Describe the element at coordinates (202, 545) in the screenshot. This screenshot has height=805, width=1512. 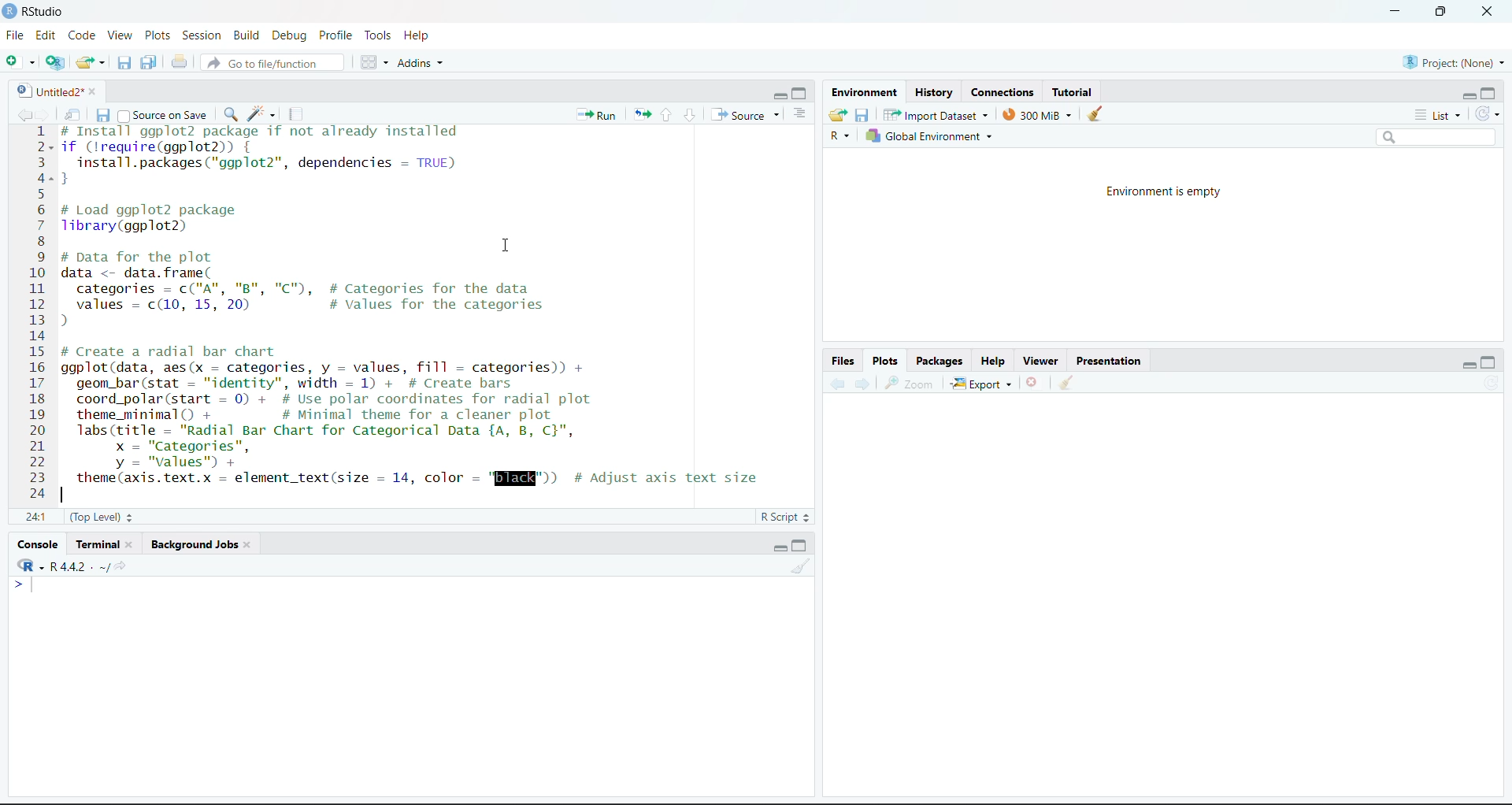
I see `Background Jobs` at that location.